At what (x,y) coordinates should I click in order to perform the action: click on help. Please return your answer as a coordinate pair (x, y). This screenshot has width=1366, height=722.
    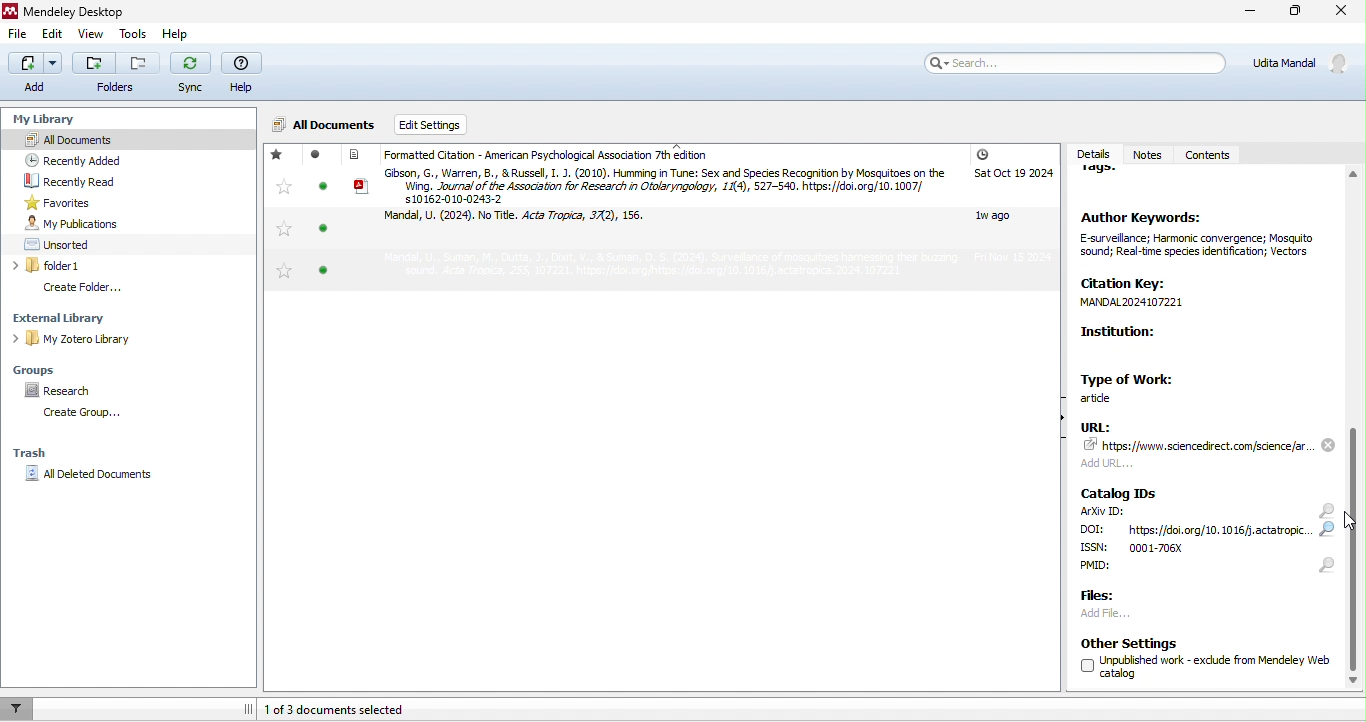
    Looking at the image, I should click on (242, 74).